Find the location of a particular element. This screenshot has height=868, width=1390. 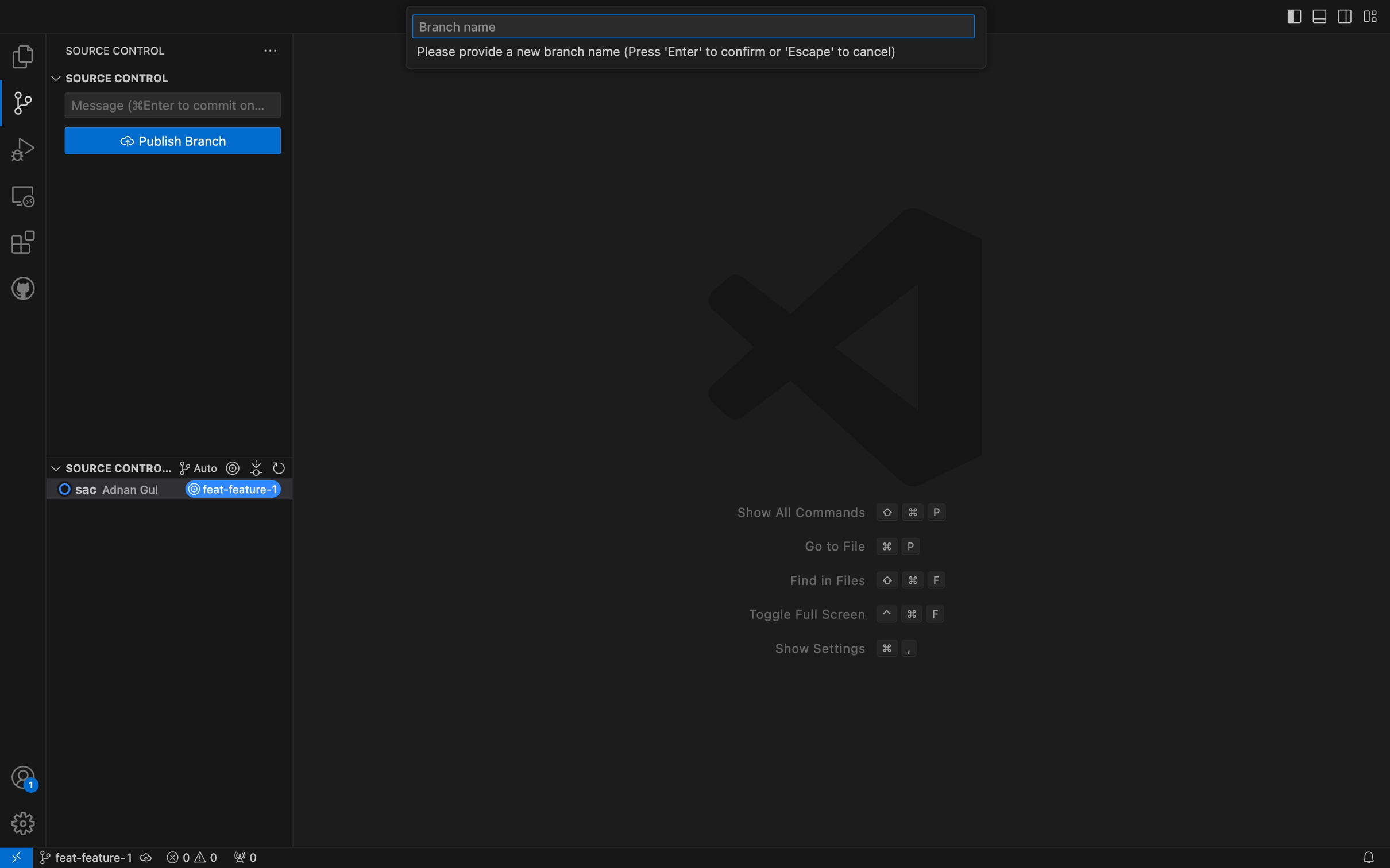

Up is located at coordinates (886, 511).